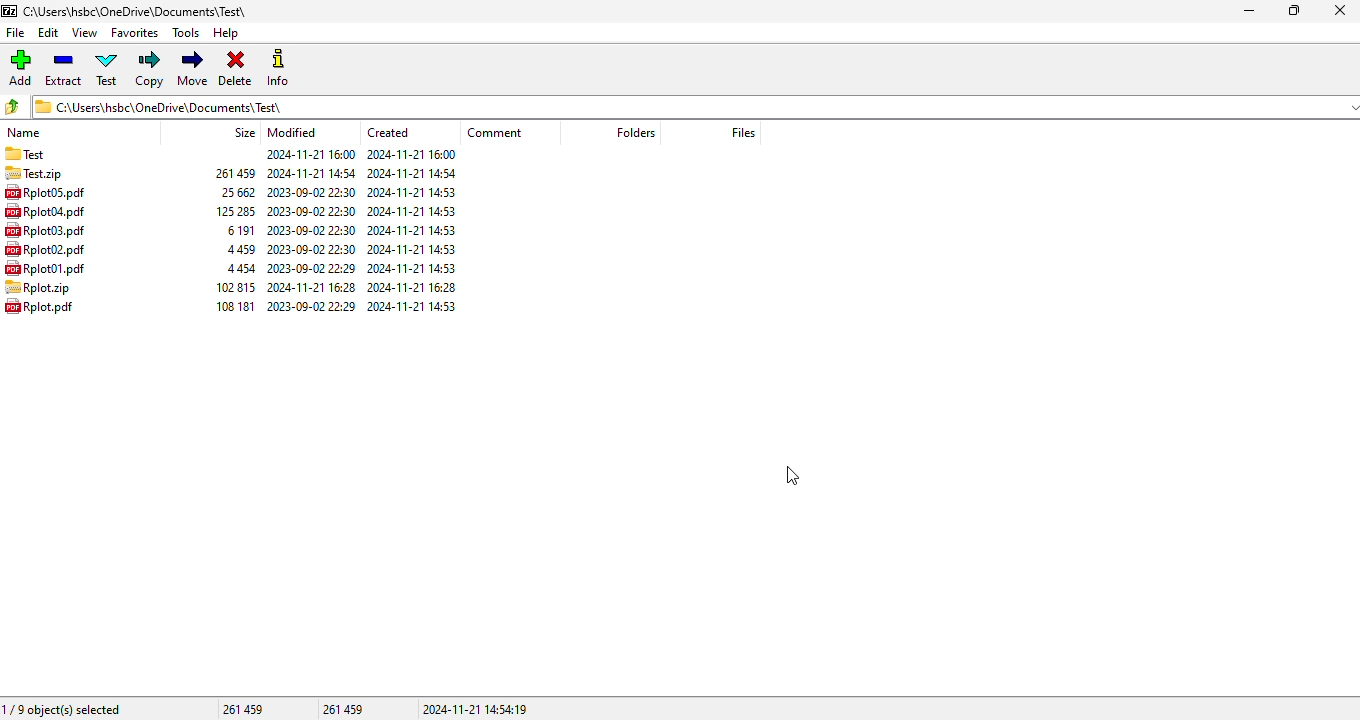 Image resolution: width=1360 pixels, height=720 pixels. Describe the element at coordinates (411, 155) in the screenshot. I see `created date & time` at that location.